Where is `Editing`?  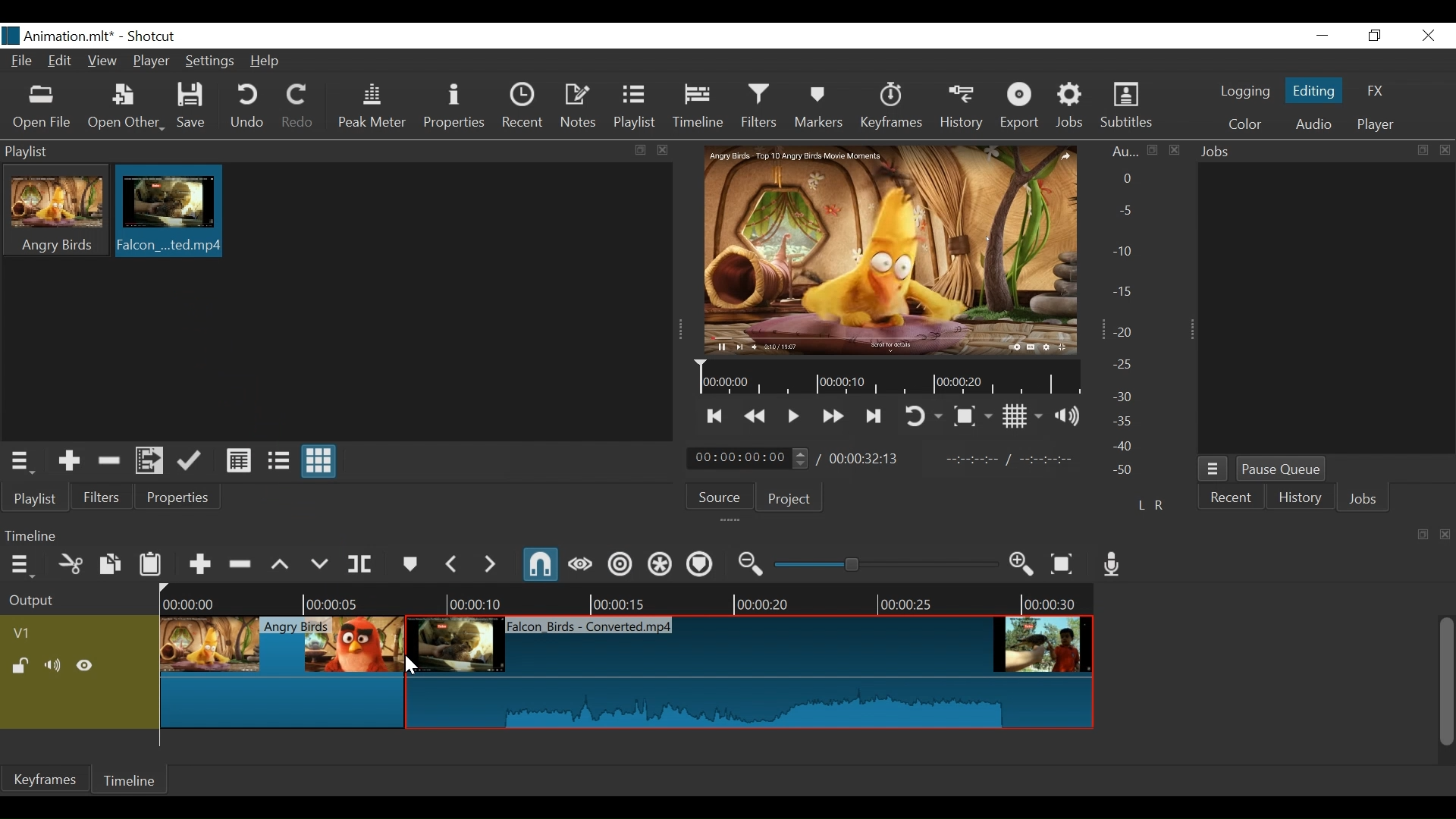 Editing is located at coordinates (1313, 91).